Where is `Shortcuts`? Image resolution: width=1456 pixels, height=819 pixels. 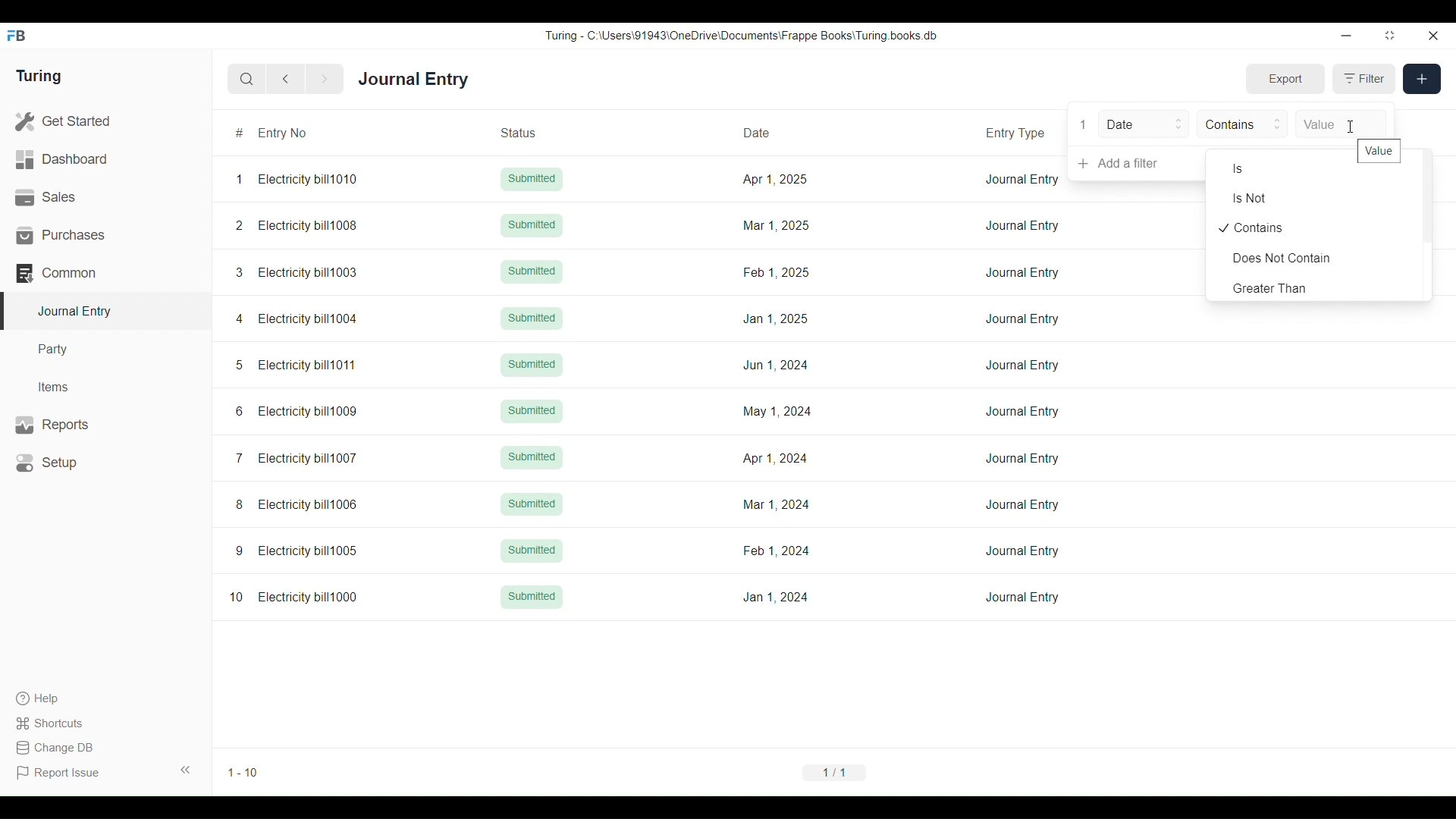 Shortcuts is located at coordinates (58, 723).